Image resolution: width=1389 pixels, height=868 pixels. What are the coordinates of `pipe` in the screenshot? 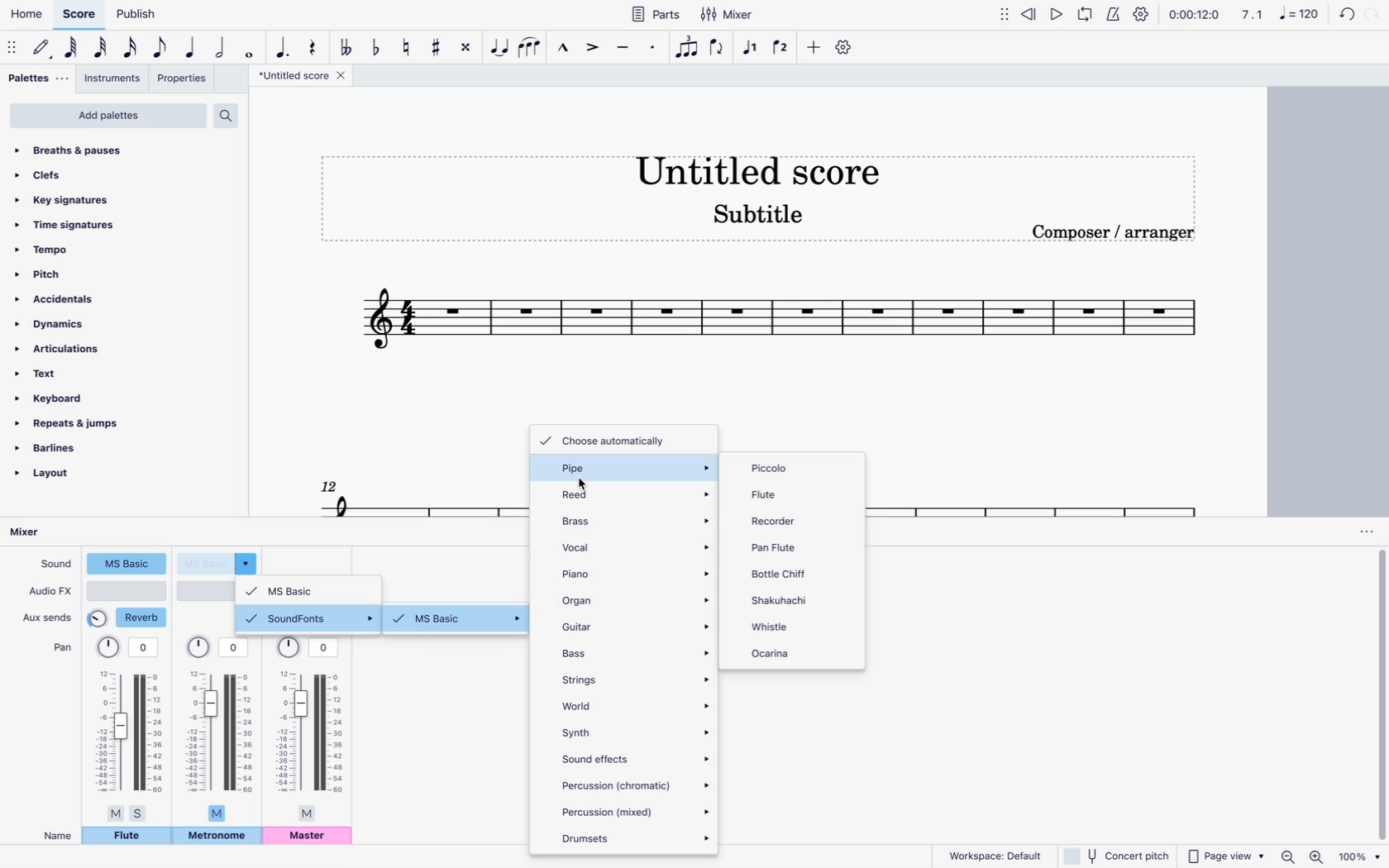 It's located at (632, 470).